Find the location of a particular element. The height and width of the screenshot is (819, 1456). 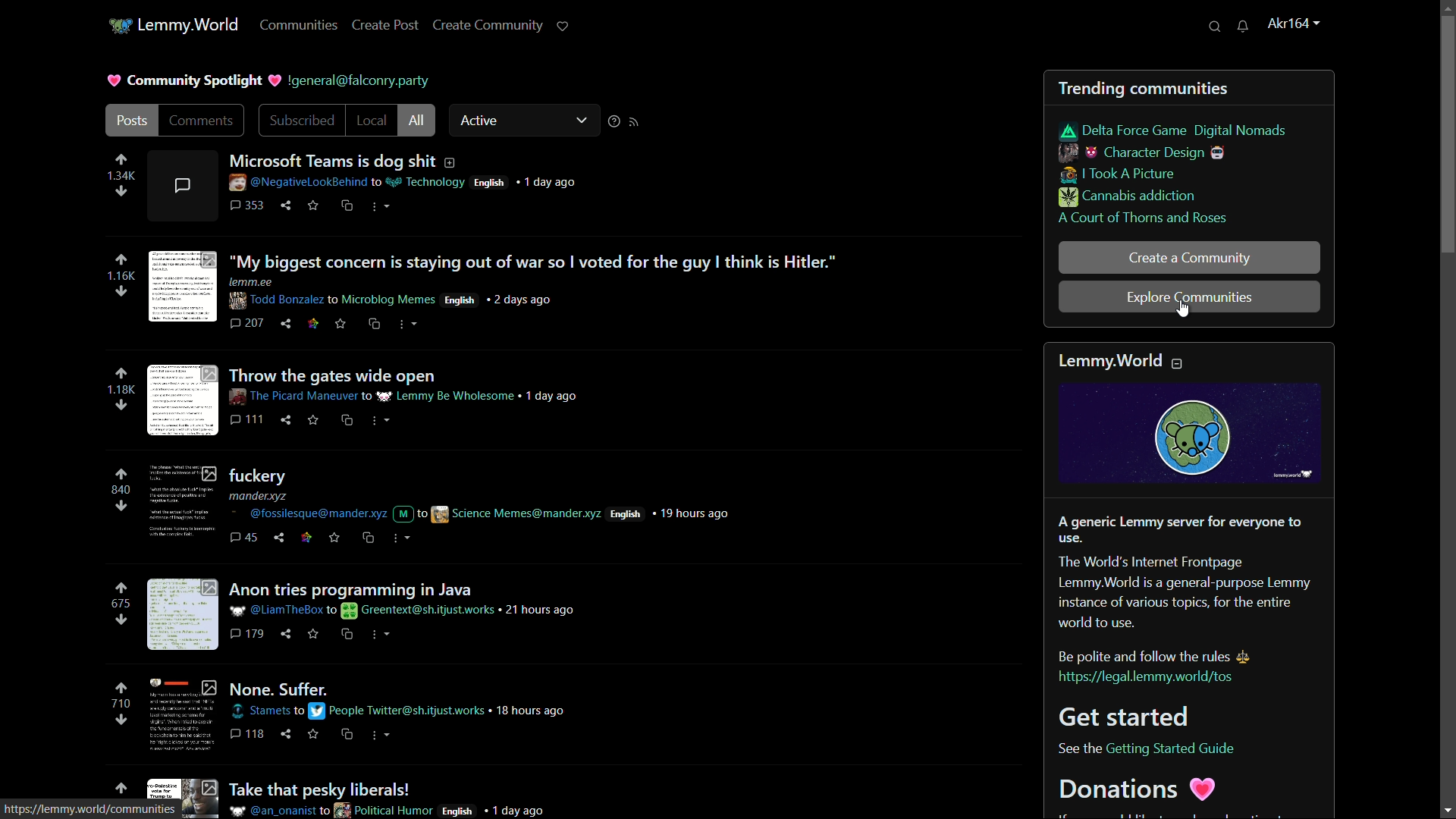

vertical scroll bar is located at coordinates (1445, 138).